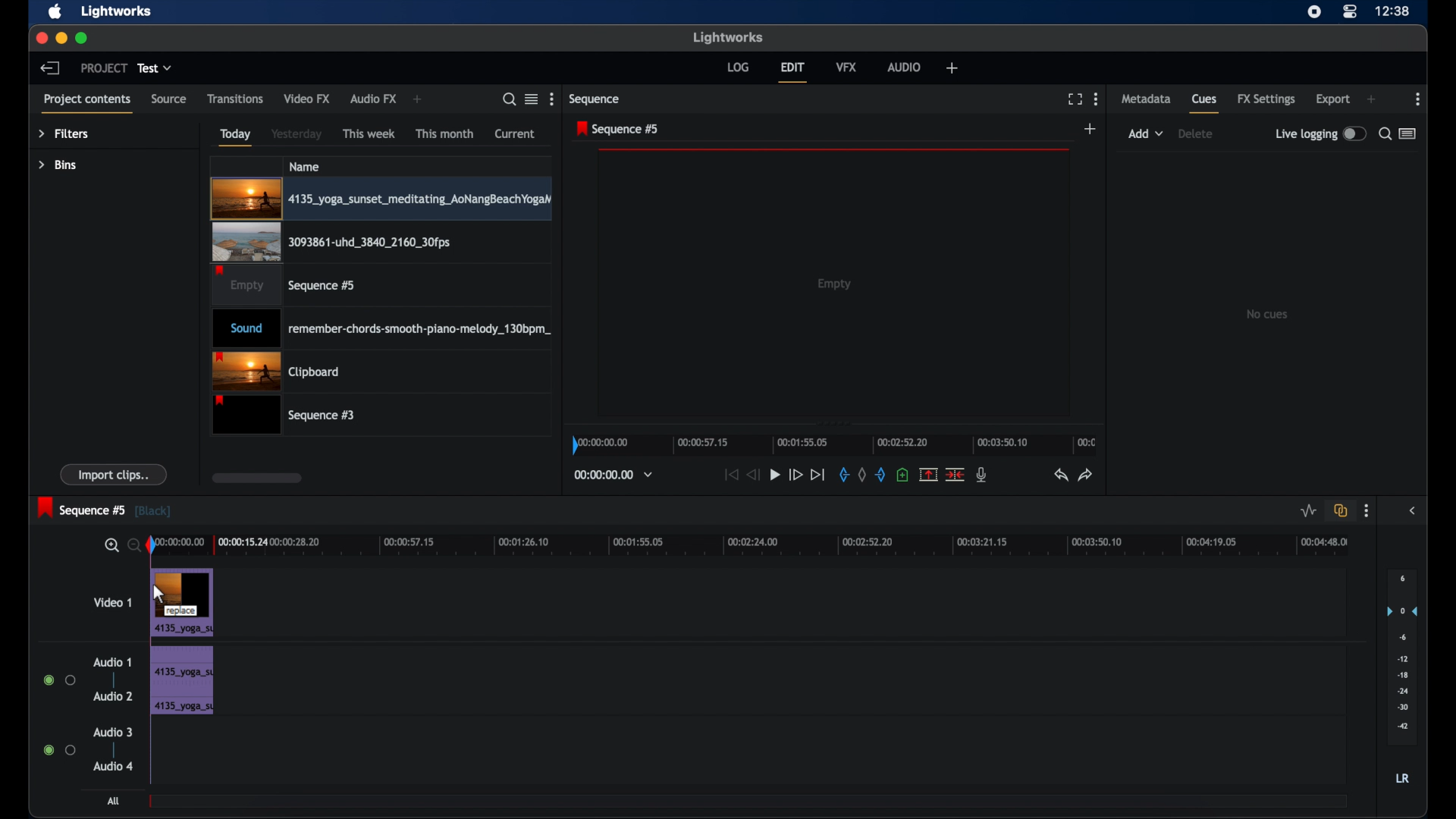 The width and height of the screenshot is (1456, 819). What do you see at coordinates (879, 474) in the screenshot?
I see `out mark` at bounding box center [879, 474].